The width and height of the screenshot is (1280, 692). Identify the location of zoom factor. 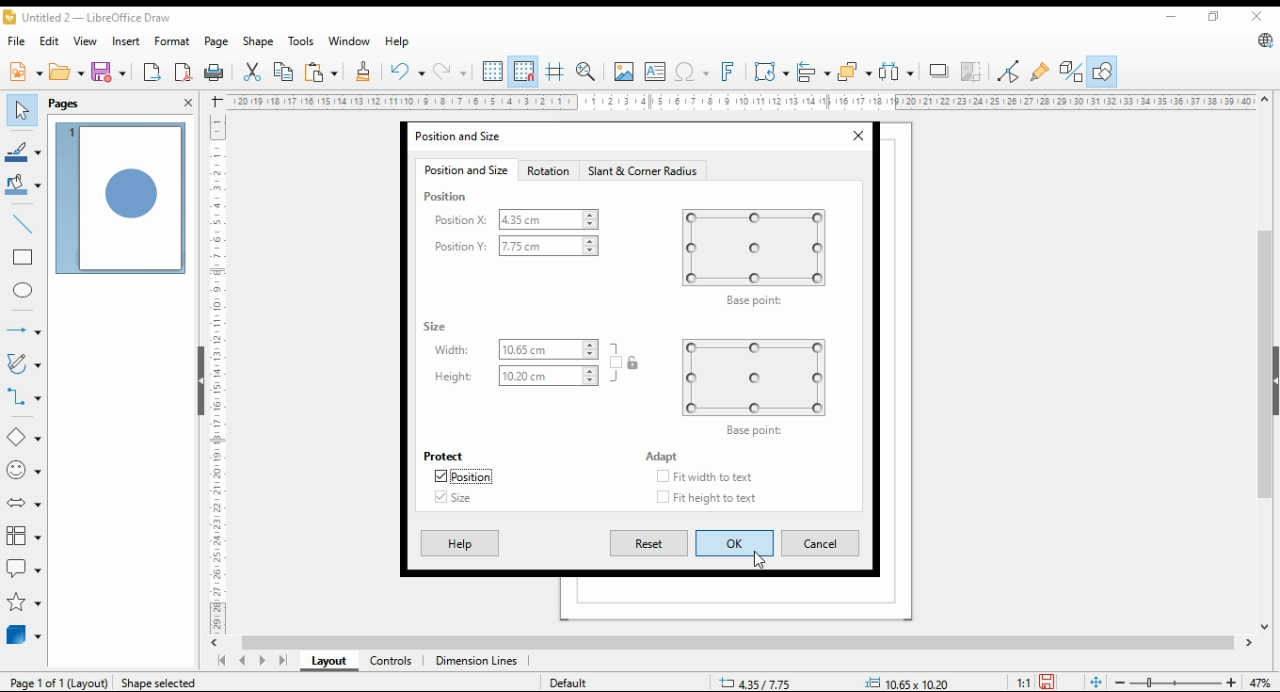
(1258, 680).